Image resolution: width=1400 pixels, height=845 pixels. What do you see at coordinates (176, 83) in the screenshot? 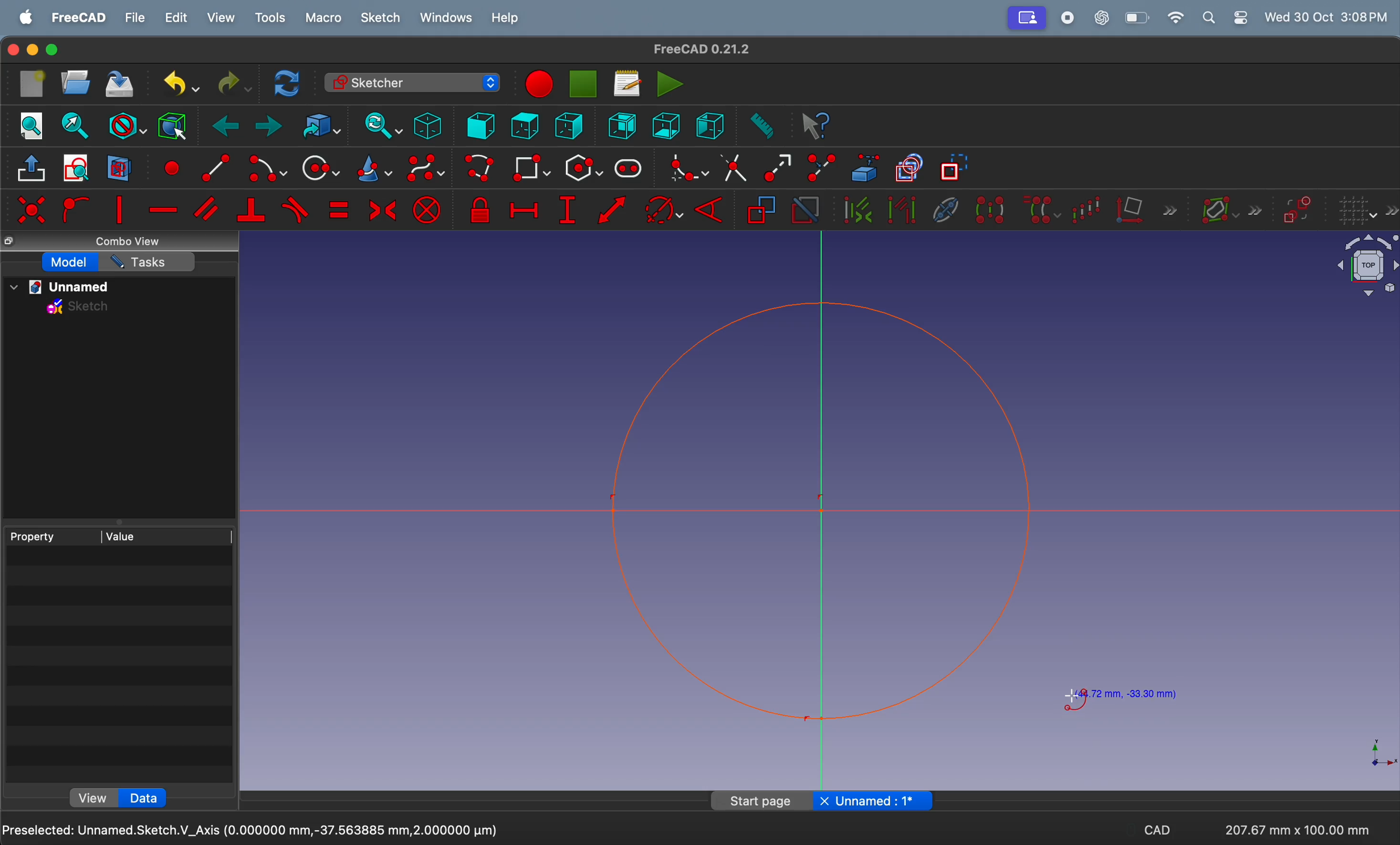
I see `undo` at bounding box center [176, 83].